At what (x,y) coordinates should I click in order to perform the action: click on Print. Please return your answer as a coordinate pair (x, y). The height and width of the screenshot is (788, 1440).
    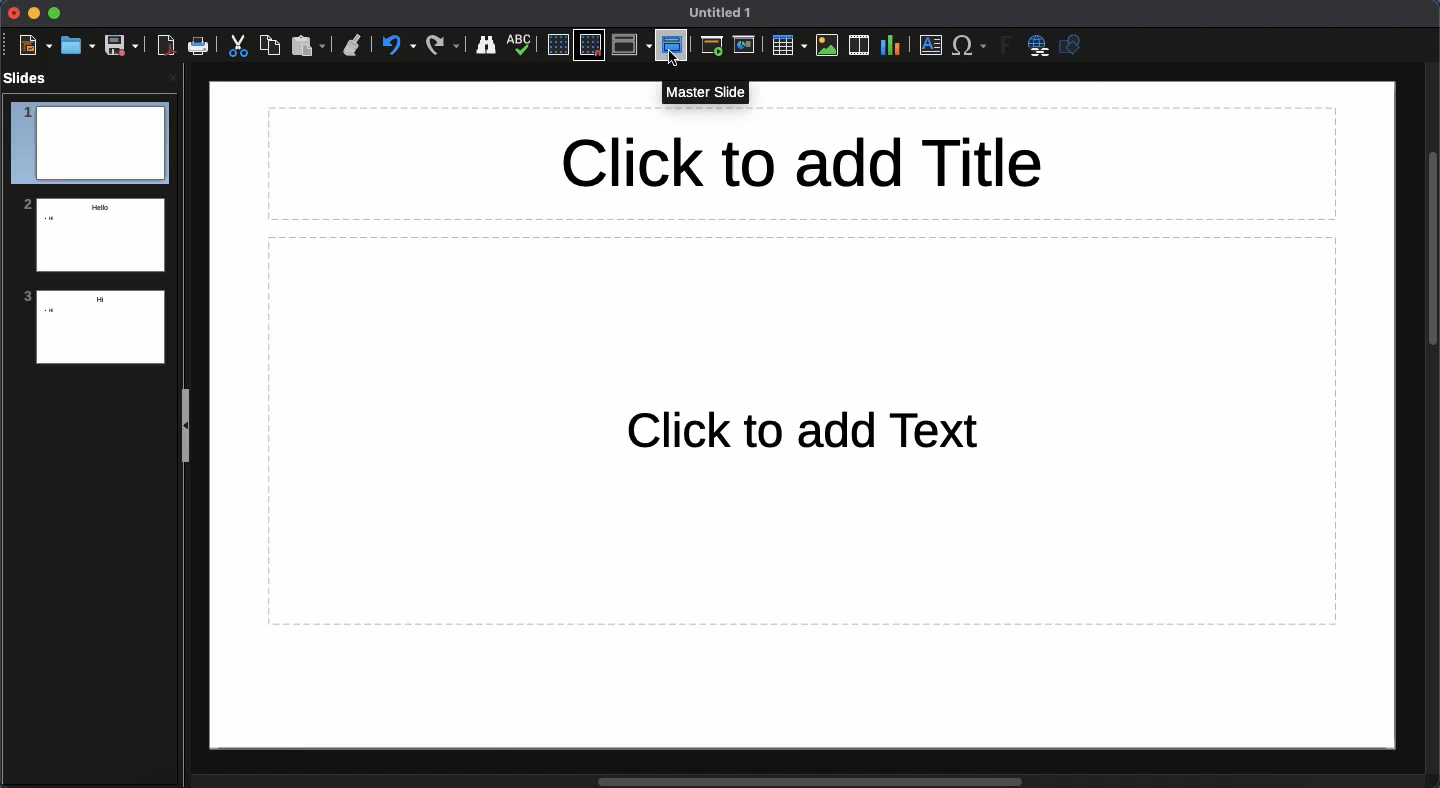
    Looking at the image, I should click on (199, 46).